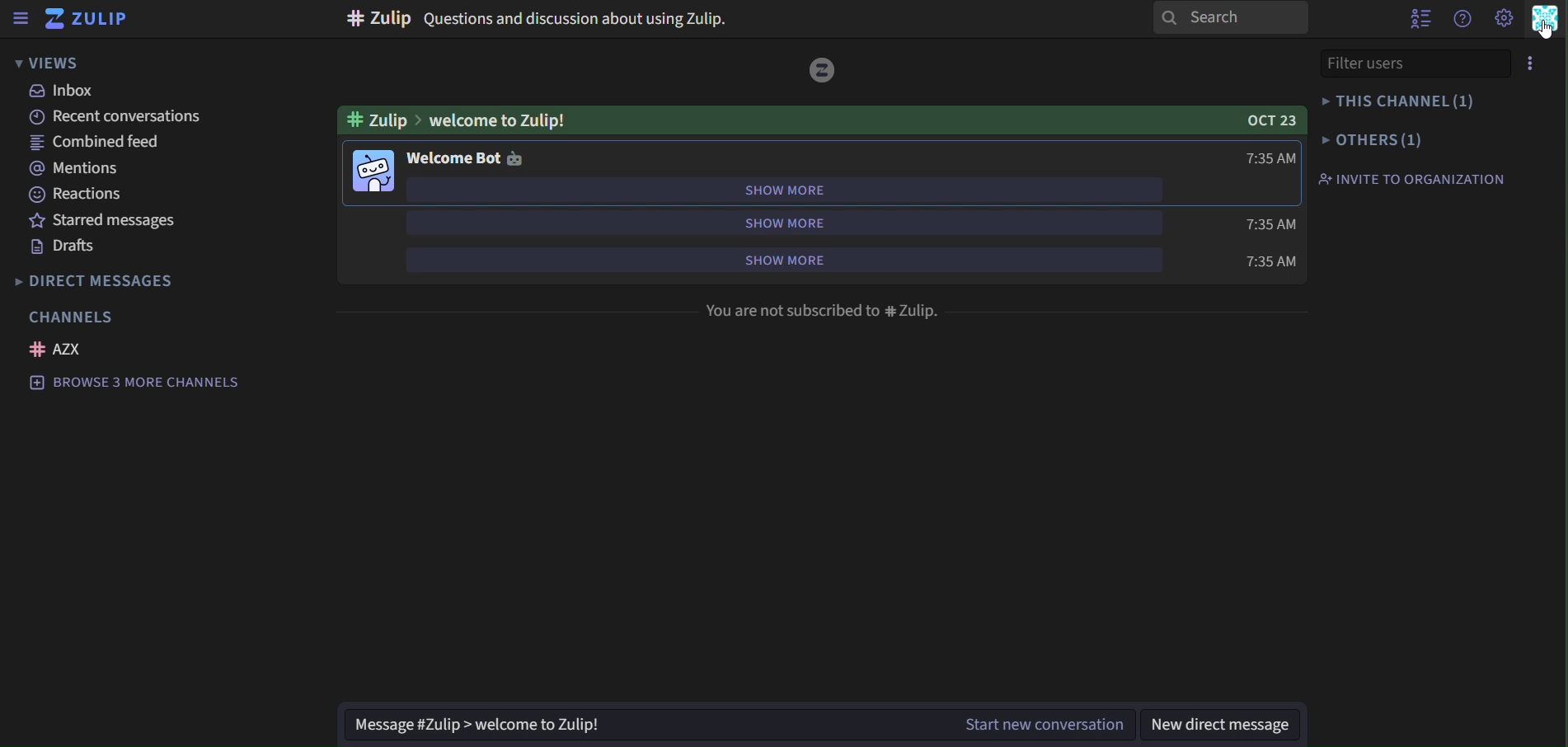 This screenshot has width=1568, height=747. Describe the element at coordinates (376, 119) in the screenshot. I see `#zuliip` at that location.